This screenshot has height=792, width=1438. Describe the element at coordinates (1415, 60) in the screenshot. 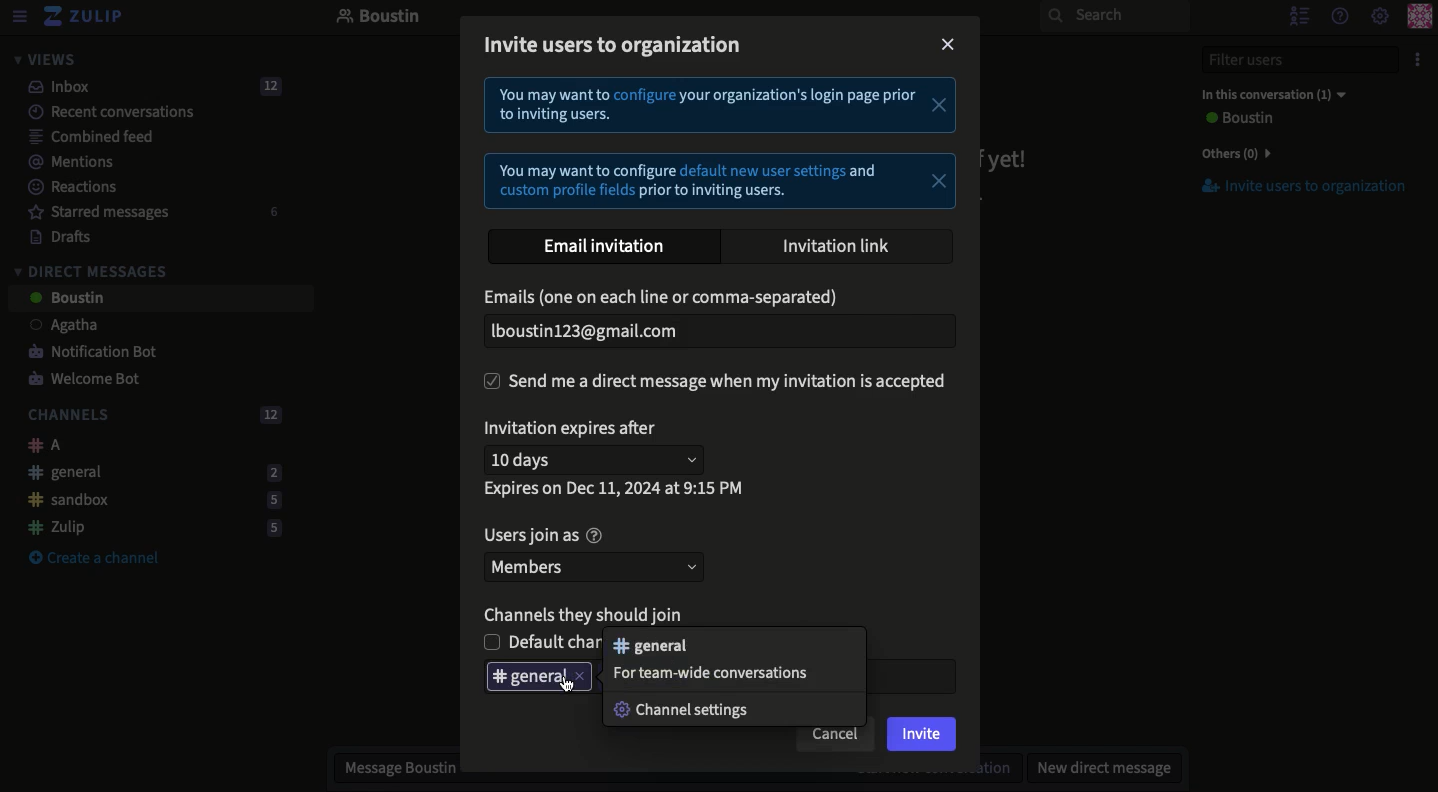

I see `Options` at that location.